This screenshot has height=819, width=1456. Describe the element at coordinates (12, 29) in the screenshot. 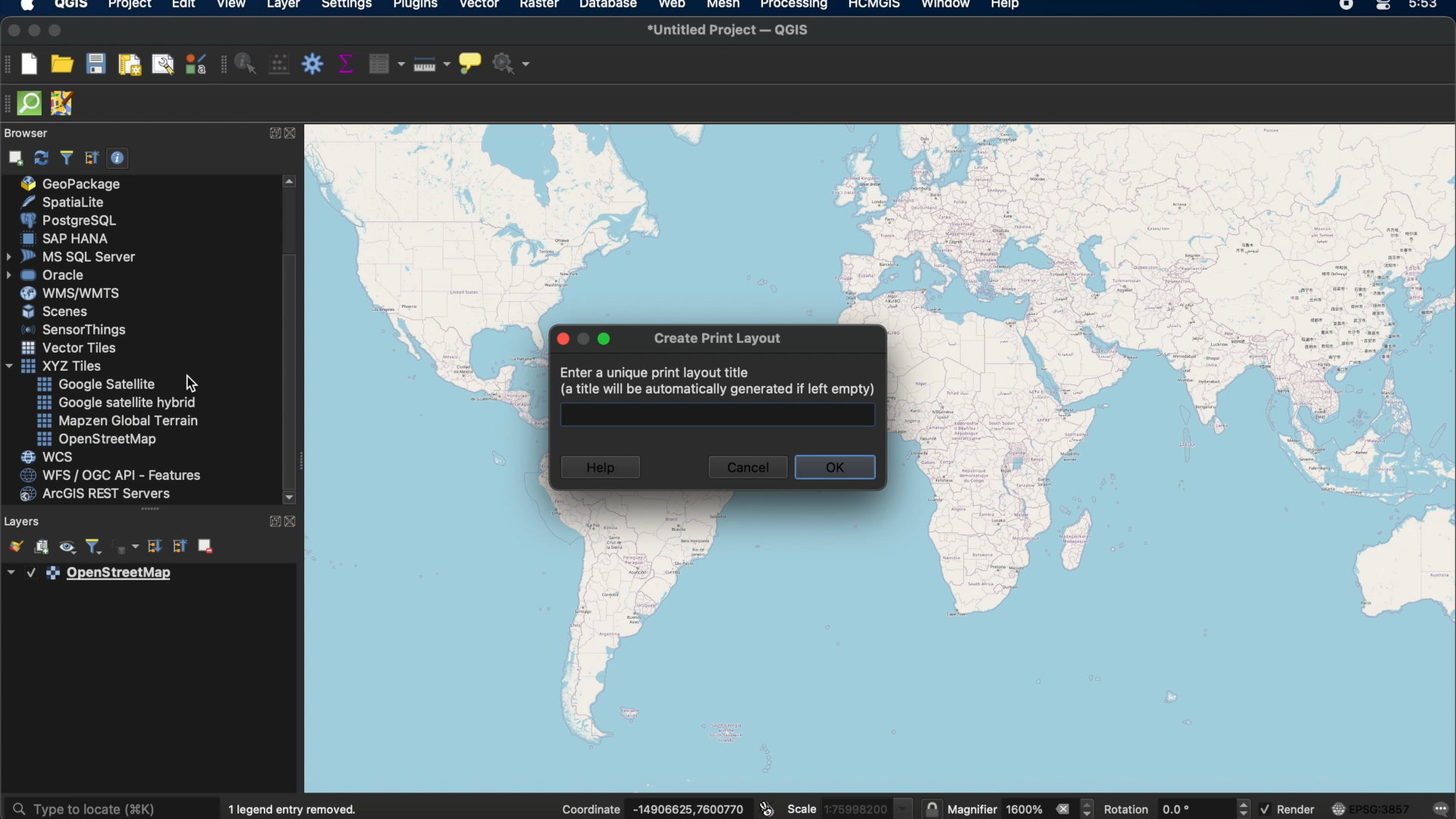

I see `close` at that location.